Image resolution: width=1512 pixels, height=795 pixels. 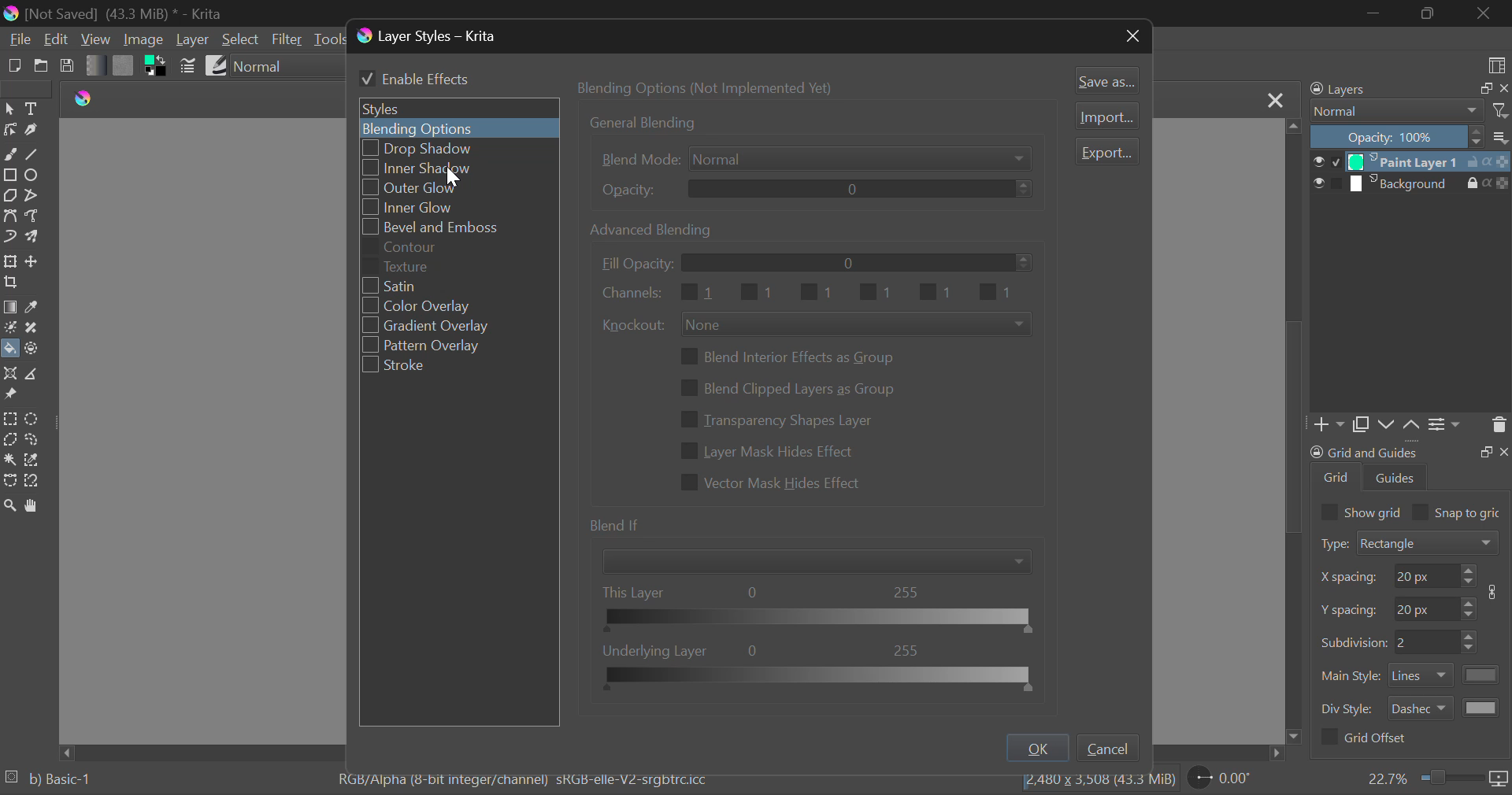 What do you see at coordinates (115, 13) in the screenshot?
I see `Window Title` at bounding box center [115, 13].